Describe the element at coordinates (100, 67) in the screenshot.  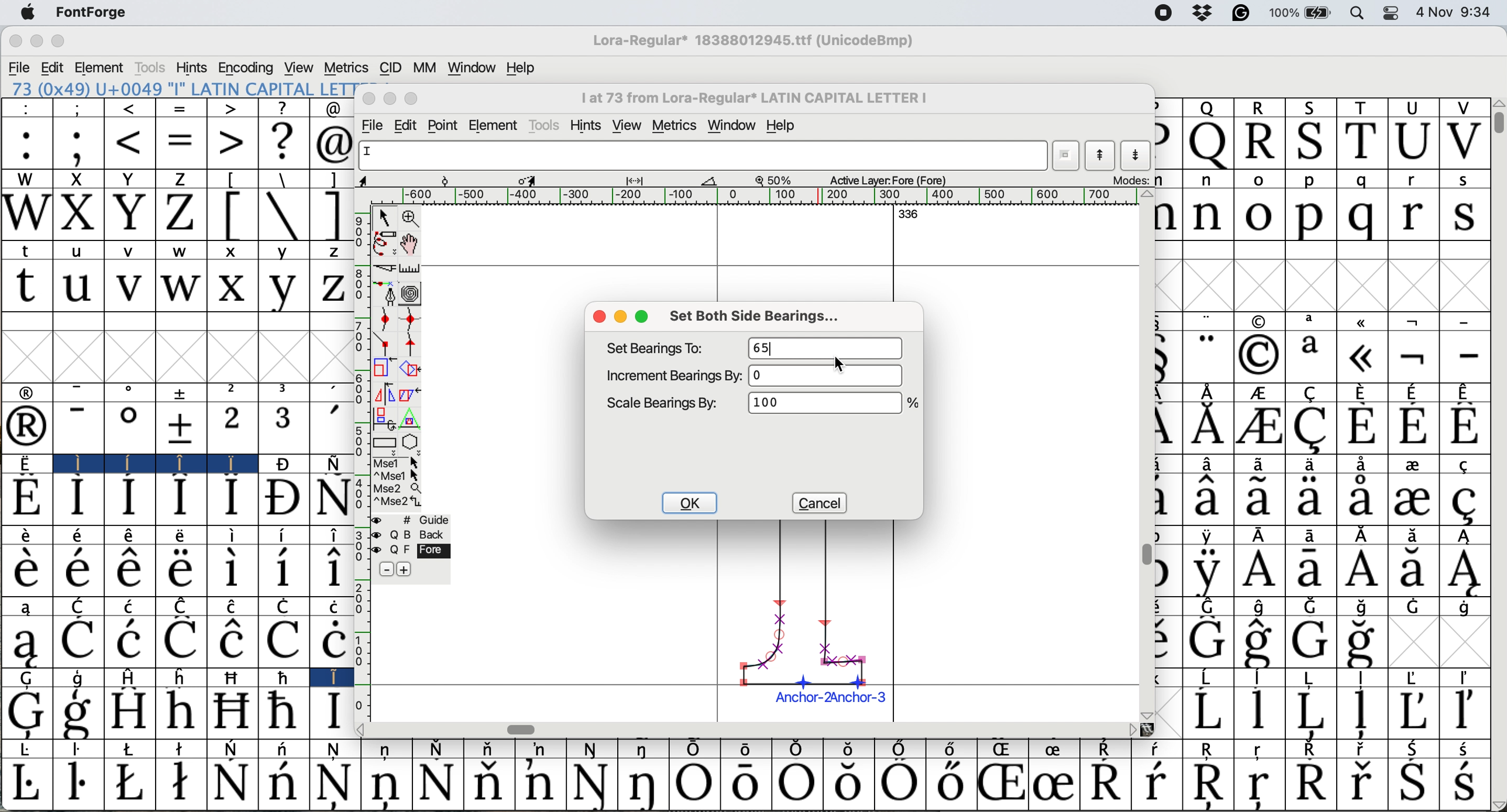
I see `element` at that location.